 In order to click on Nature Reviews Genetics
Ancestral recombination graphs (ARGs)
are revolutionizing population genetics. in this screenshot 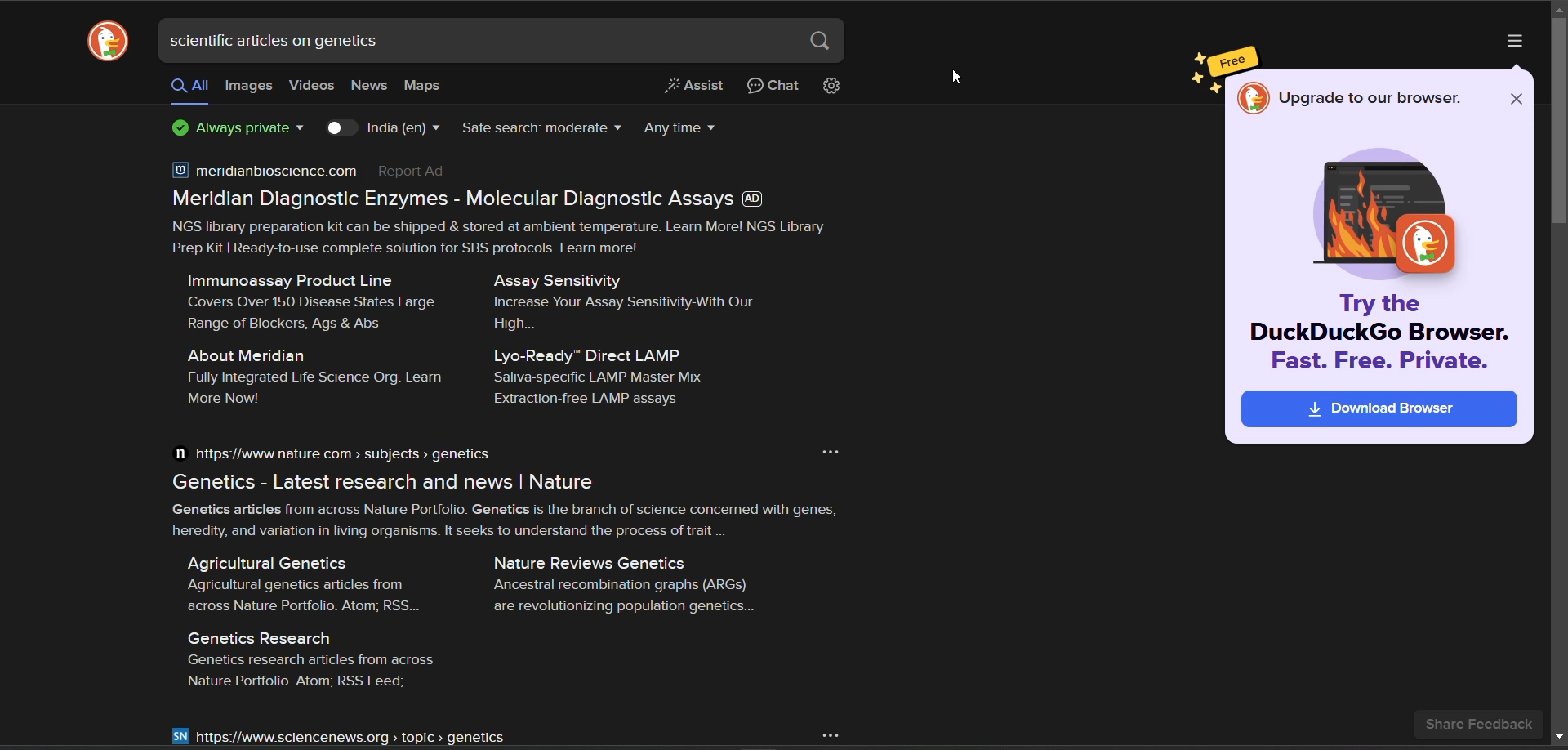, I will do `click(628, 583)`.